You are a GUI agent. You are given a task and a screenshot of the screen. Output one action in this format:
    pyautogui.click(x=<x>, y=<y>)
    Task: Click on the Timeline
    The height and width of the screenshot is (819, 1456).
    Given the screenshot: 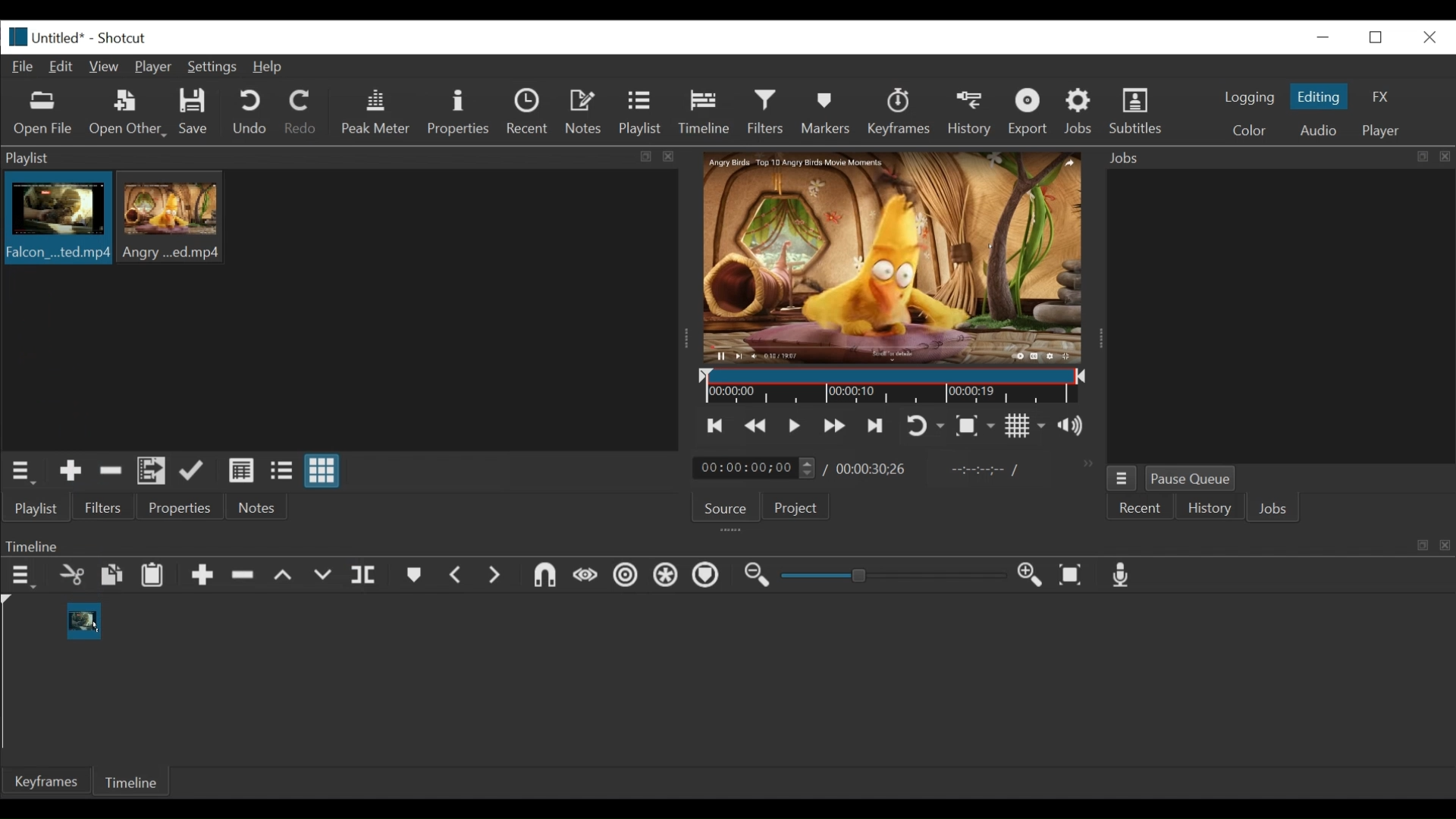 What is the action you would take?
    pyautogui.click(x=894, y=387)
    